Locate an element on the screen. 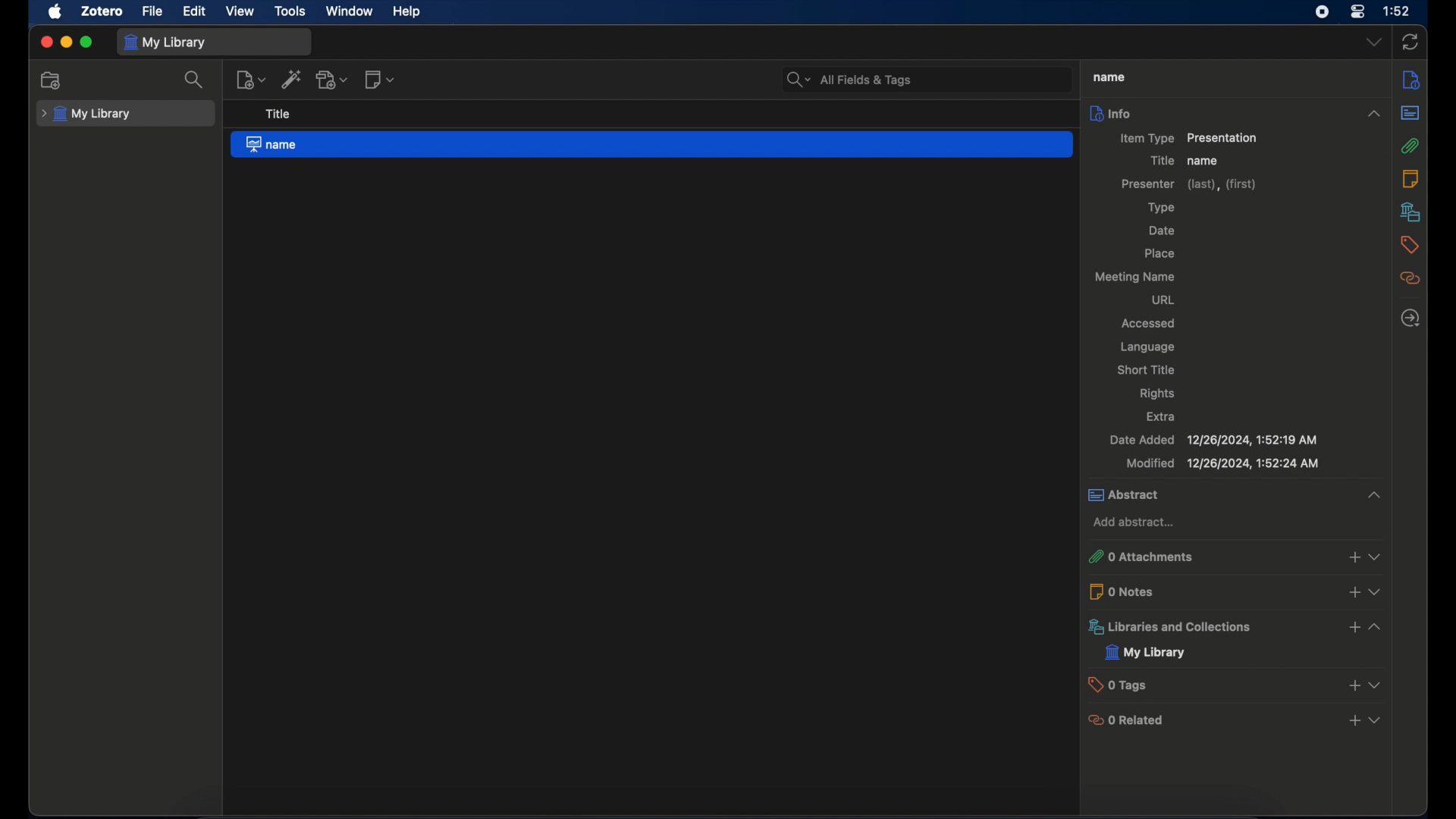 This screenshot has width=1456, height=819. locate is located at coordinates (1411, 319).